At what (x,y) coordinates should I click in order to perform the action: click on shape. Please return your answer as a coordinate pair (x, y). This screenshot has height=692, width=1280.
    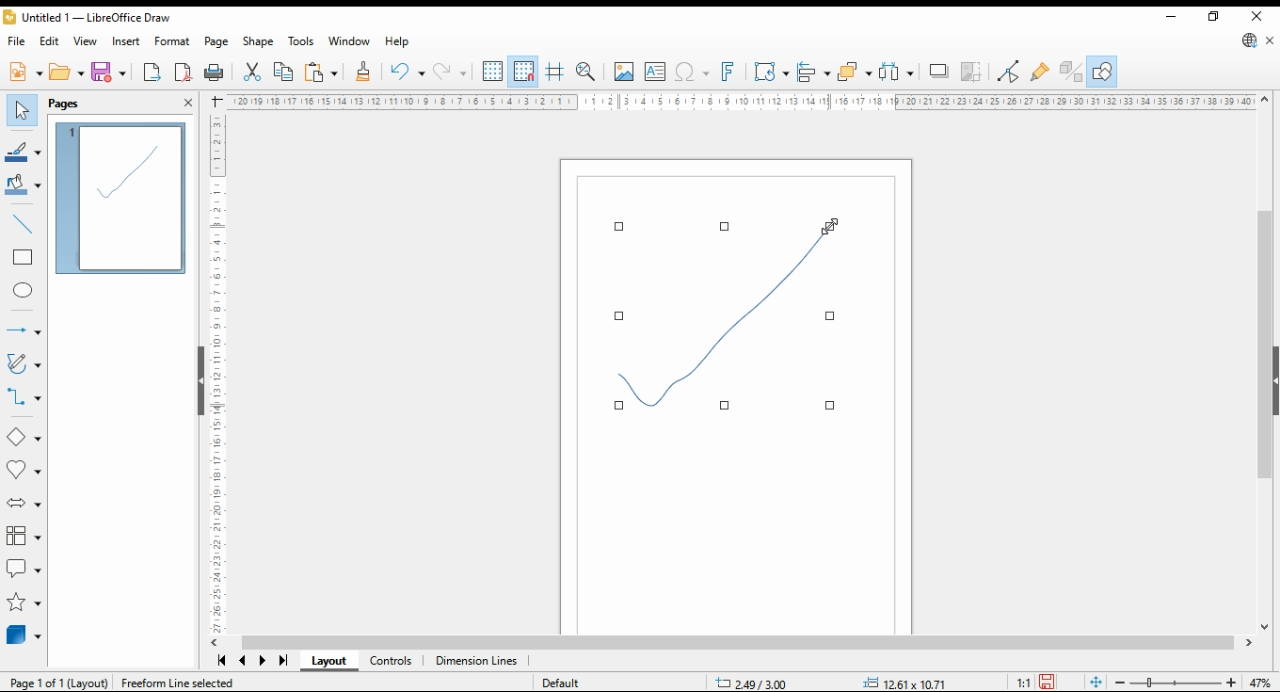
    Looking at the image, I should click on (259, 41).